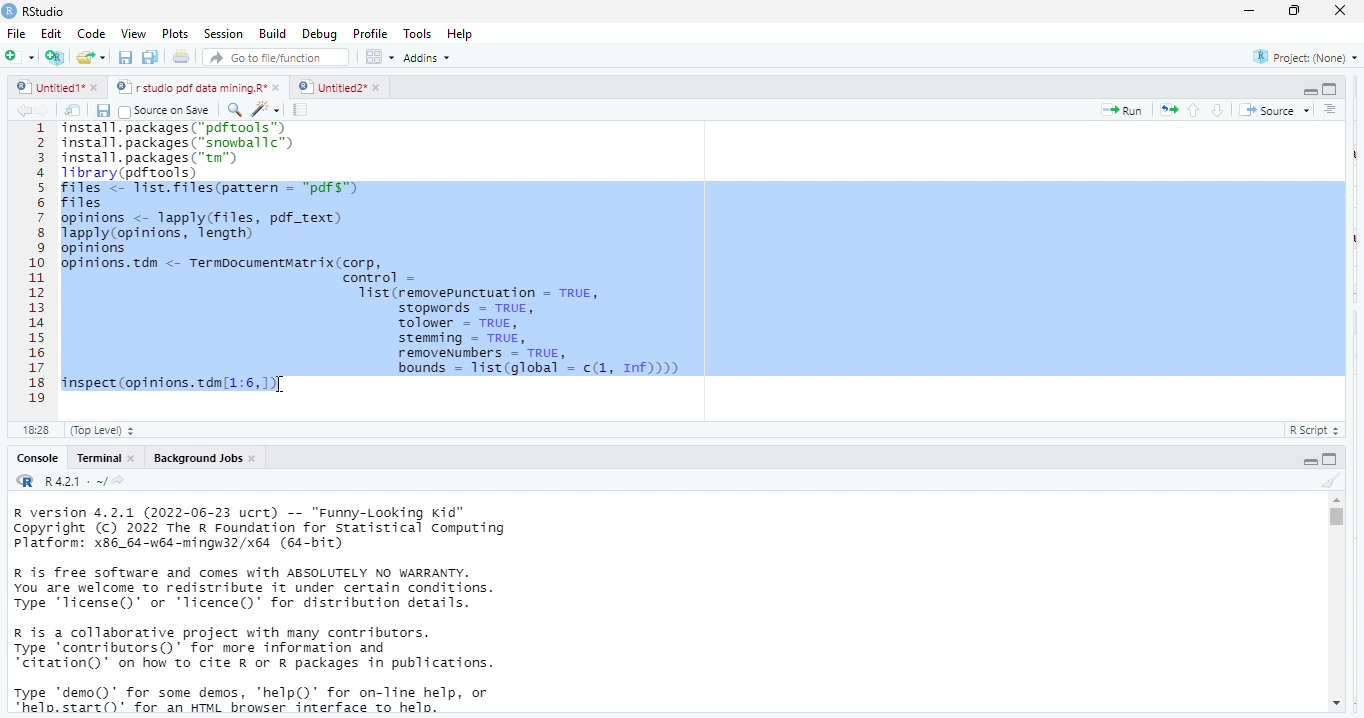 This screenshot has width=1364, height=718. Describe the element at coordinates (1330, 89) in the screenshot. I see `hide console` at that location.